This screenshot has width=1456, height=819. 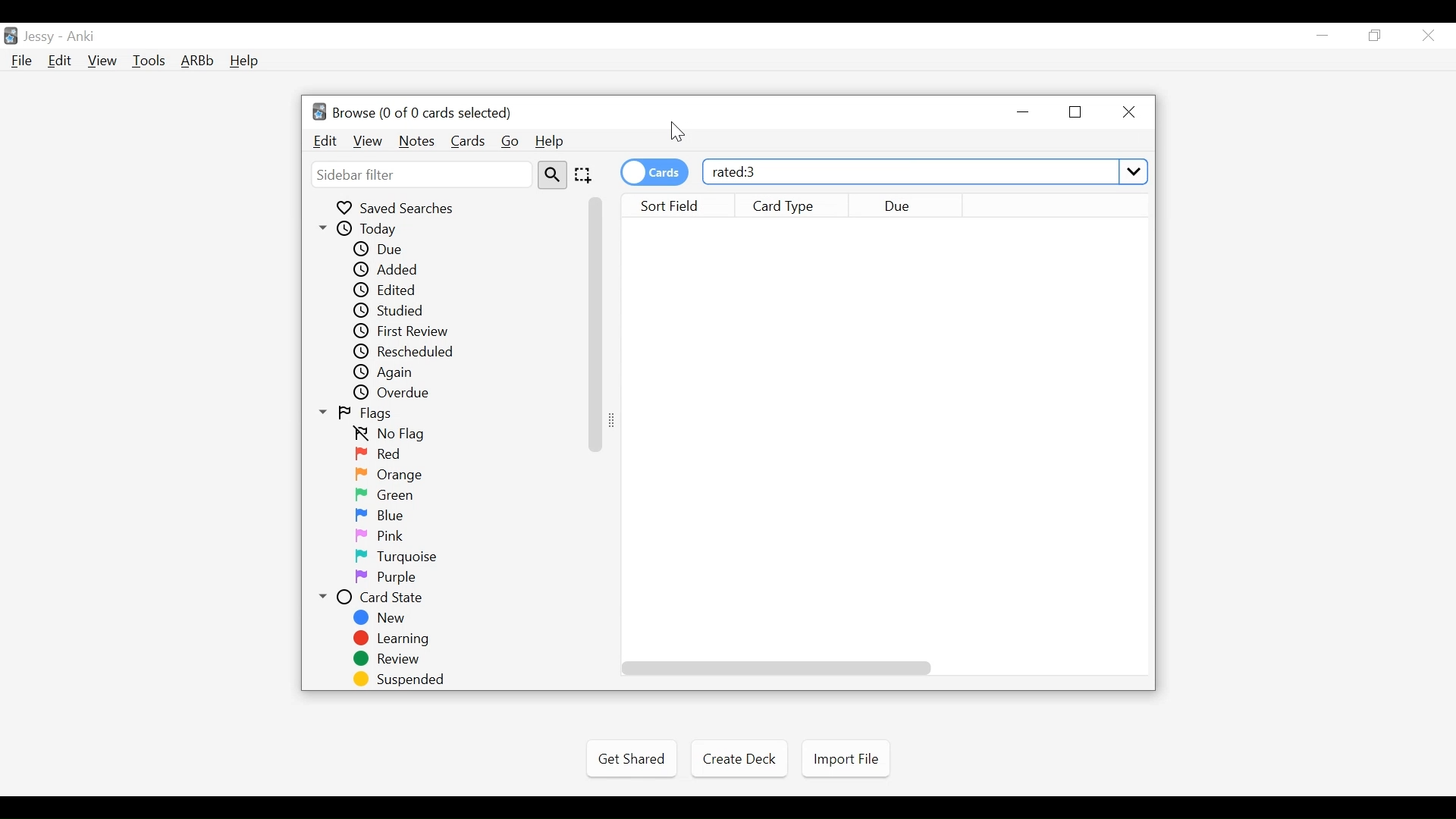 I want to click on Help, so click(x=554, y=142).